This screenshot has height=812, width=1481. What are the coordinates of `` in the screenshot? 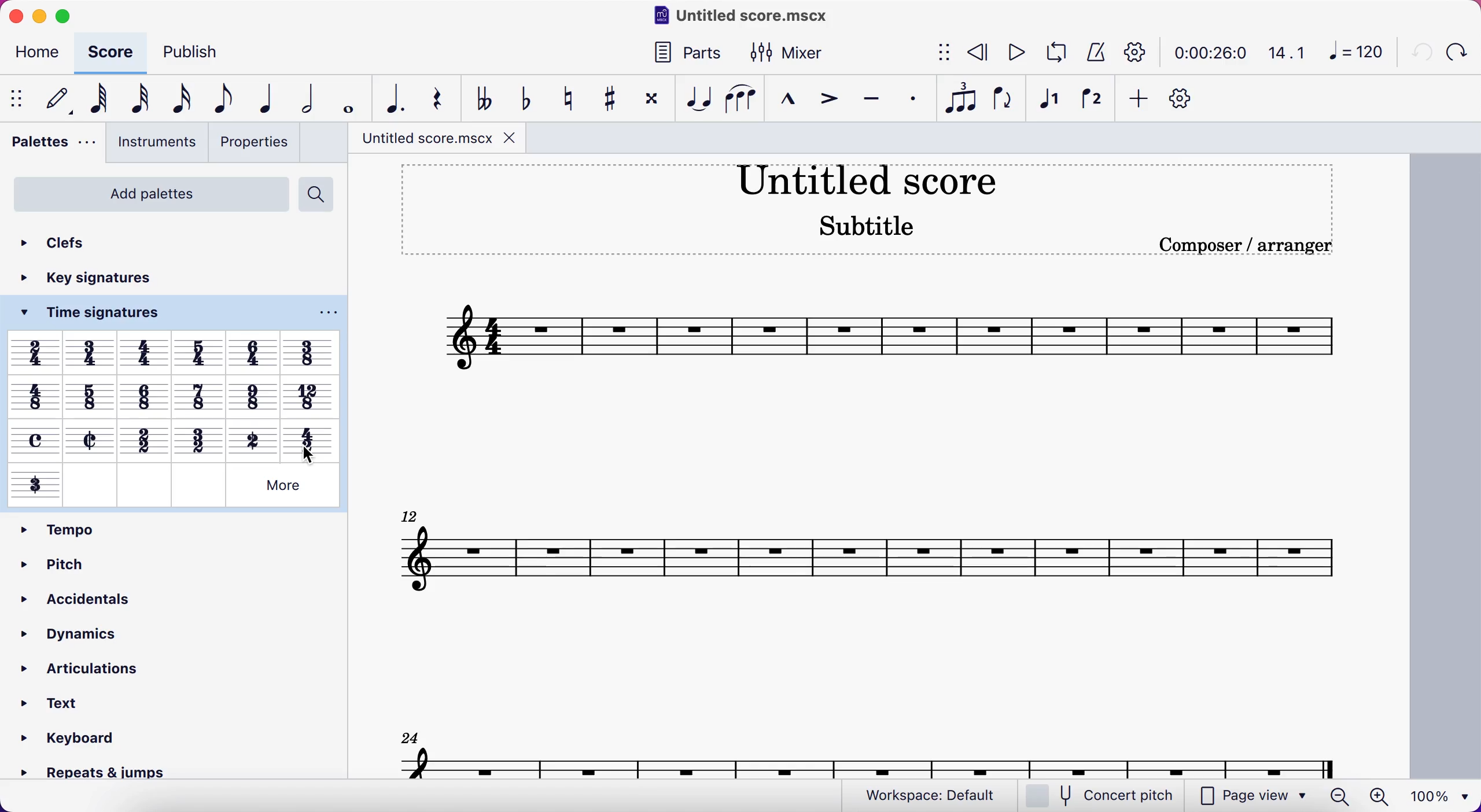 It's located at (35, 352).